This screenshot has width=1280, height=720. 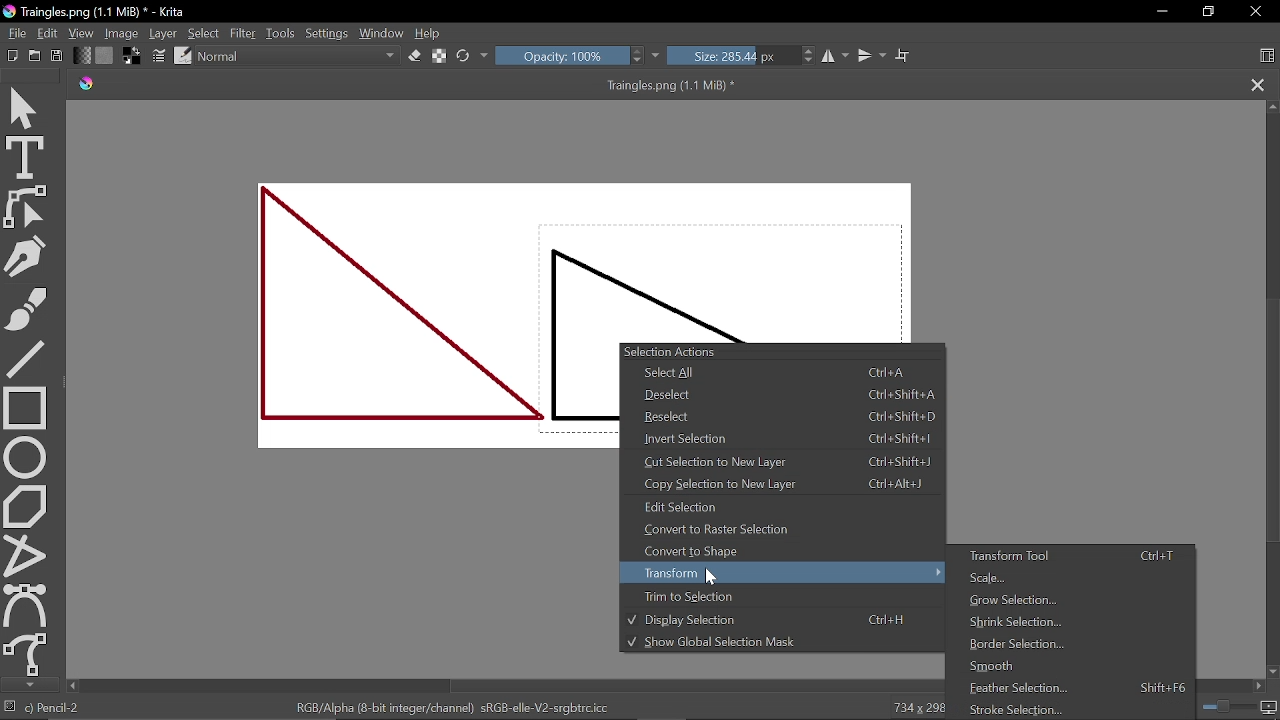 I want to click on Close tab, so click(x=1256, y=84).